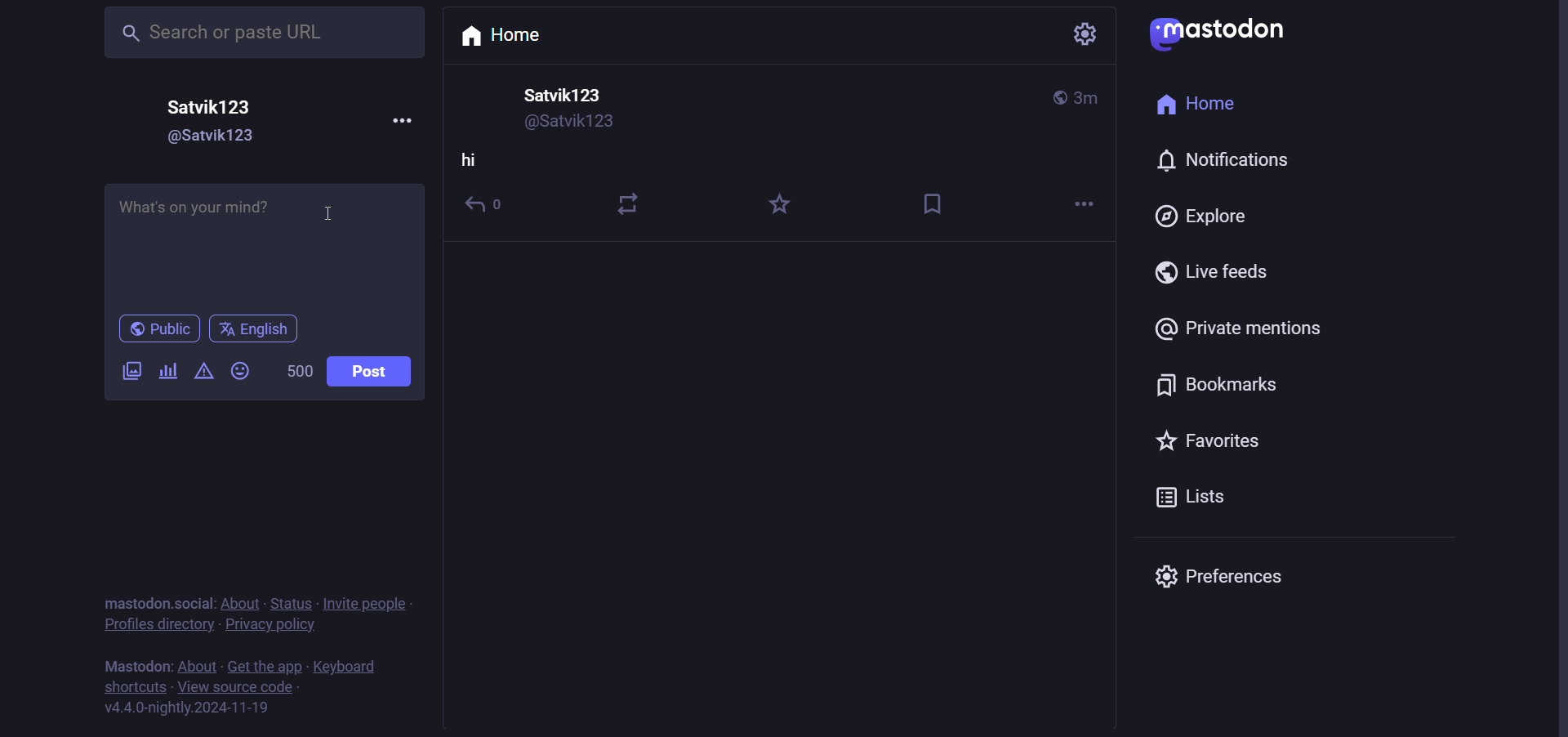 Image resolution: width=1568 pixels, height=737 pixels. What do you see at coordinates (470, 163) in the screenshot?
I see `hi` at bounding box center [470, 163].